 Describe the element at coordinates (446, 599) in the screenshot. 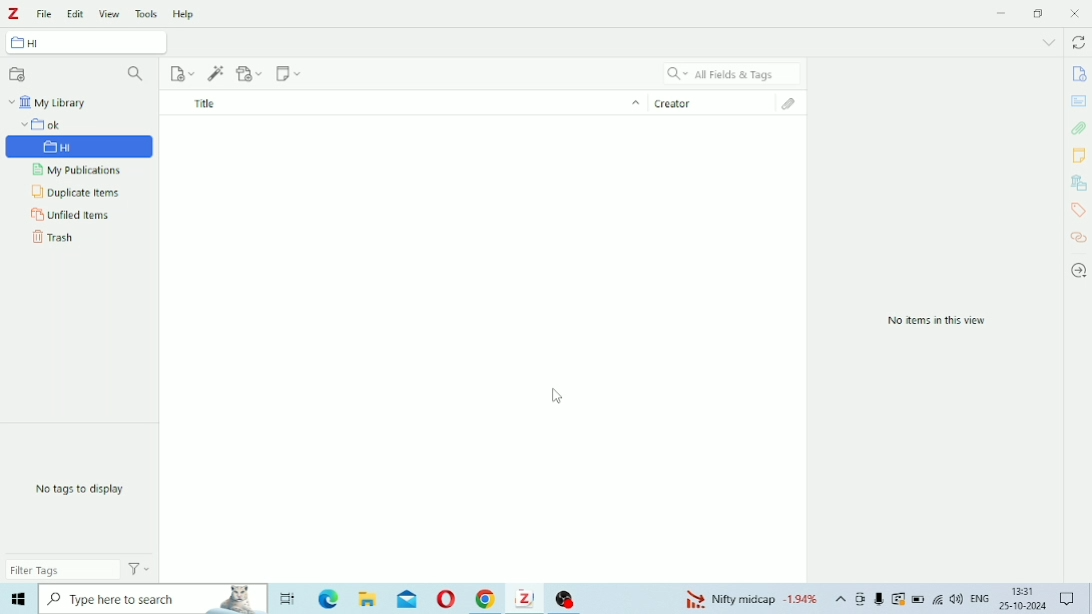

I see `Opera Mini` at that location.